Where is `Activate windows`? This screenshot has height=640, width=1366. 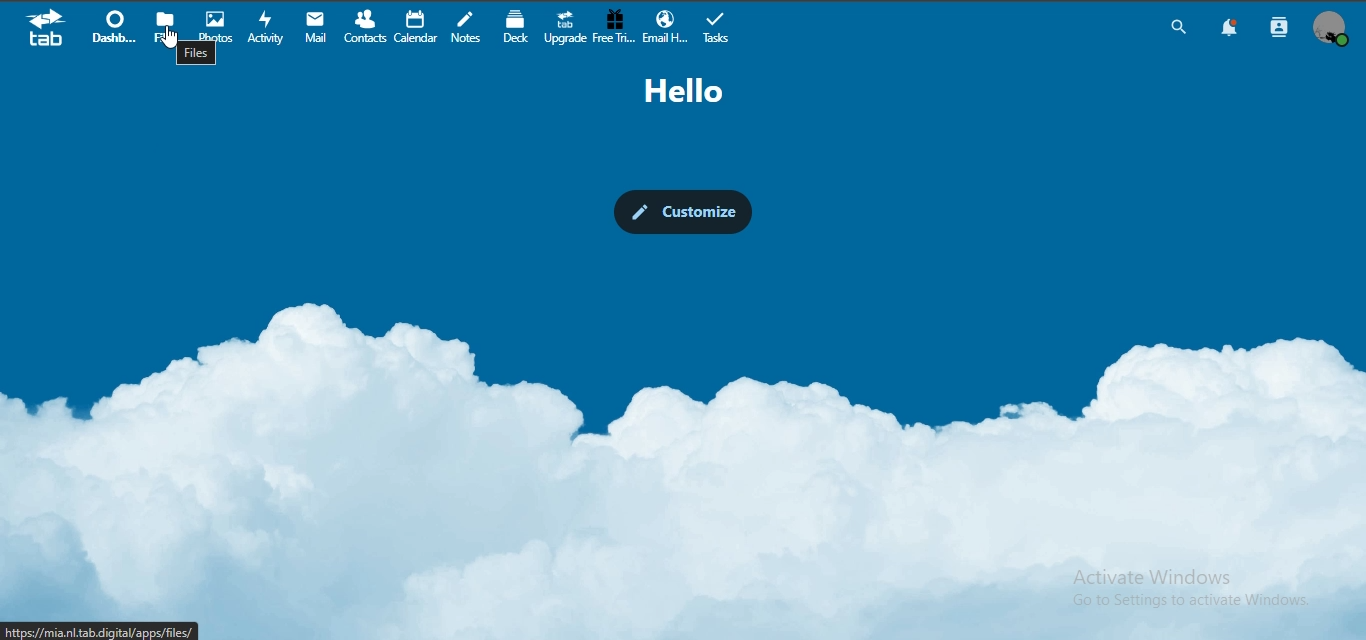 Activate windows is located at coordinates (1179, 588).